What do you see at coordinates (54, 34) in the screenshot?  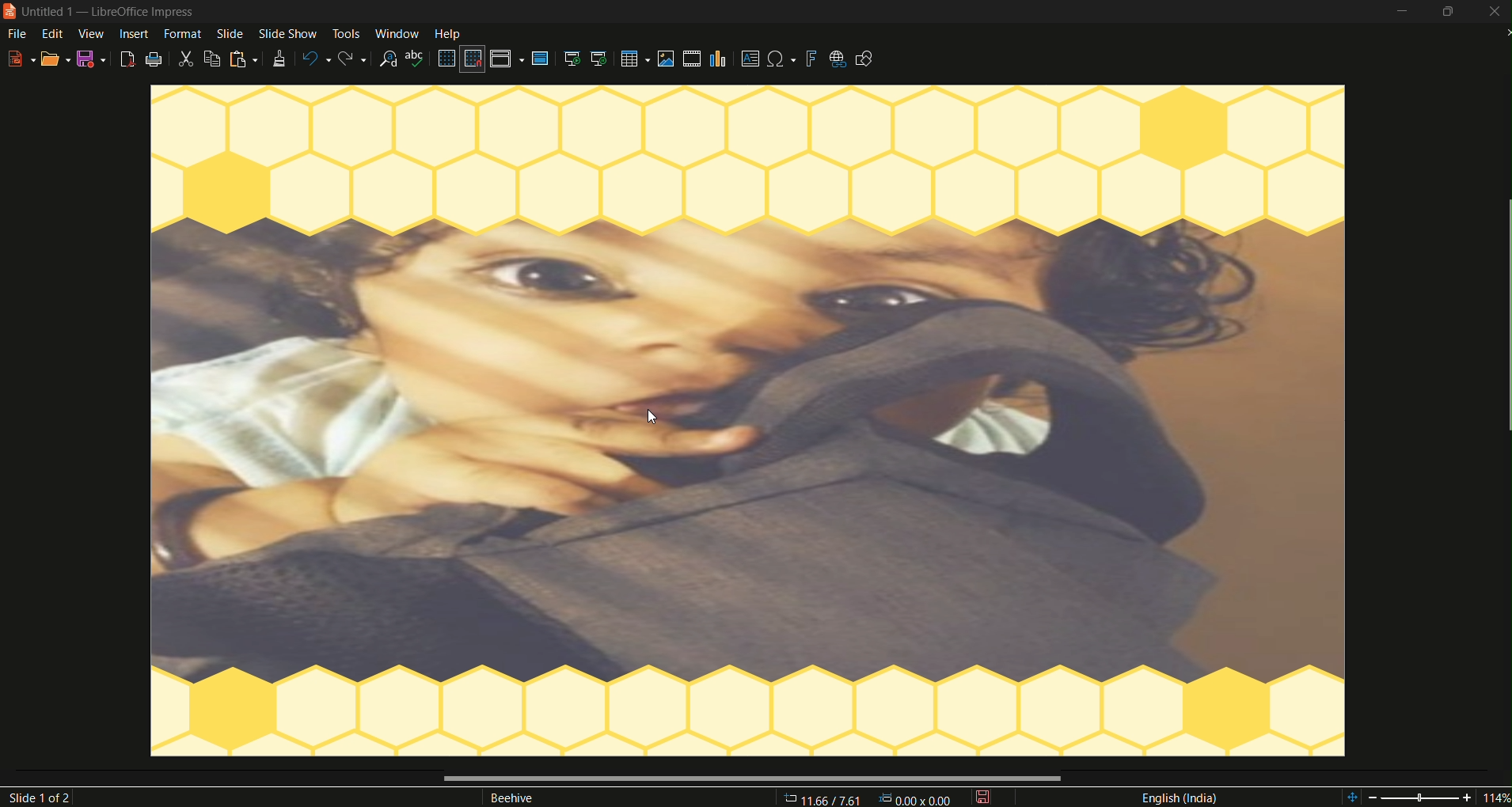 I see `edit` at bounding box center [54, 34].